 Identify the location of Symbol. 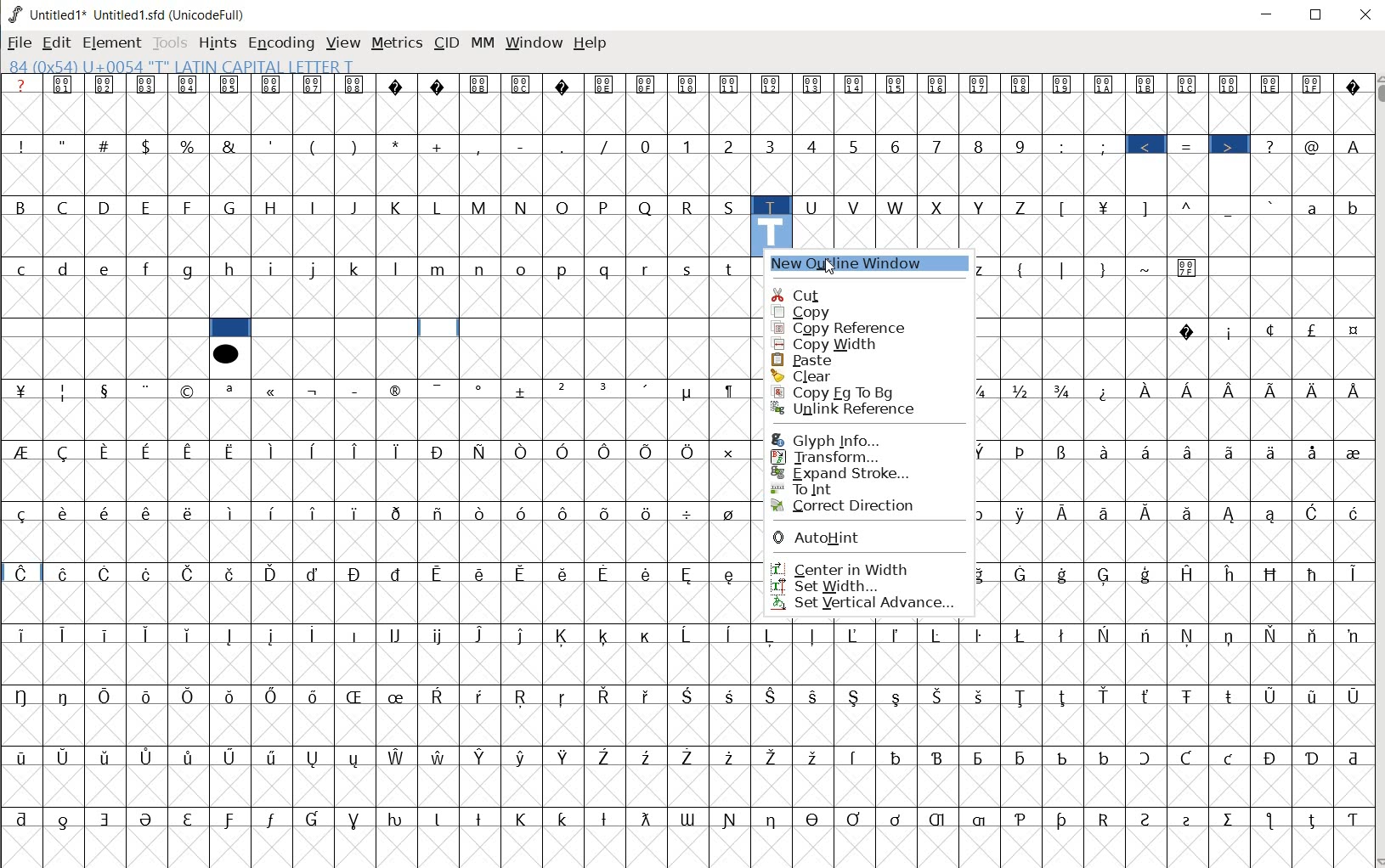
(22, 819).